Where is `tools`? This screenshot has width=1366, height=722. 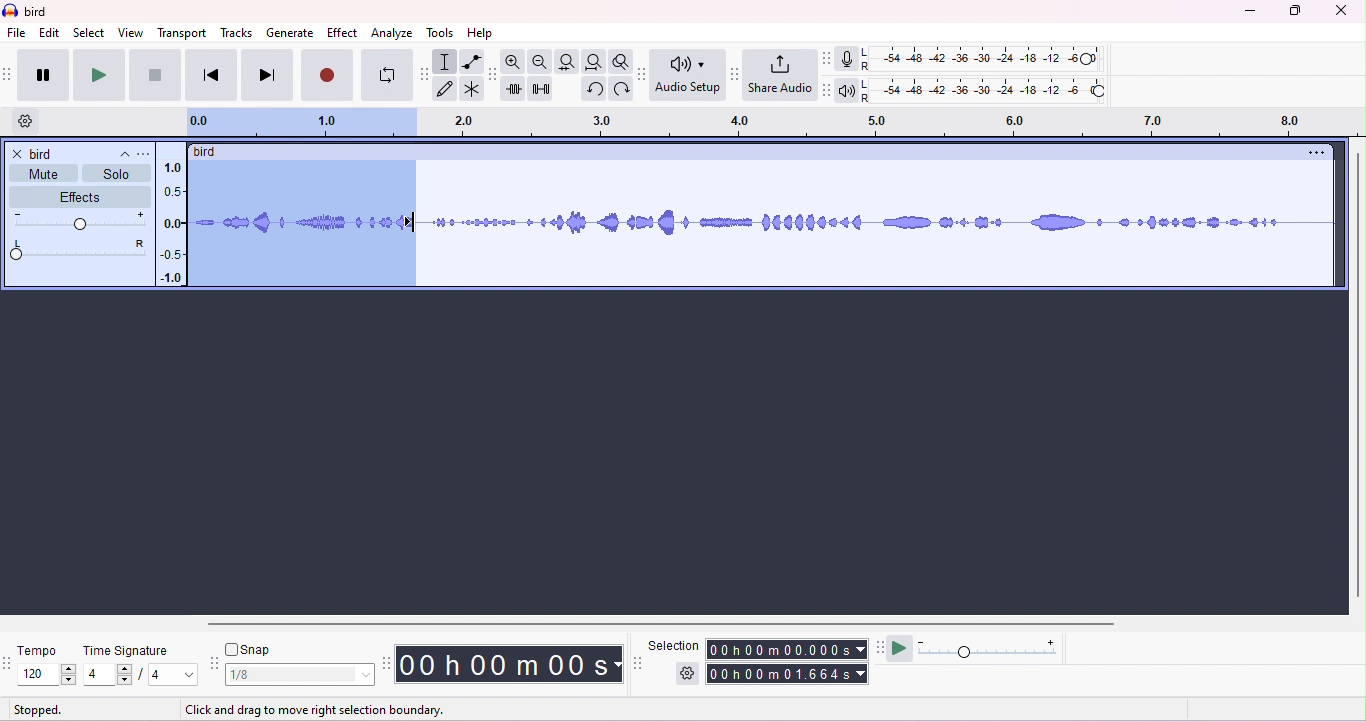
tools is located at coordinates (439, 33).